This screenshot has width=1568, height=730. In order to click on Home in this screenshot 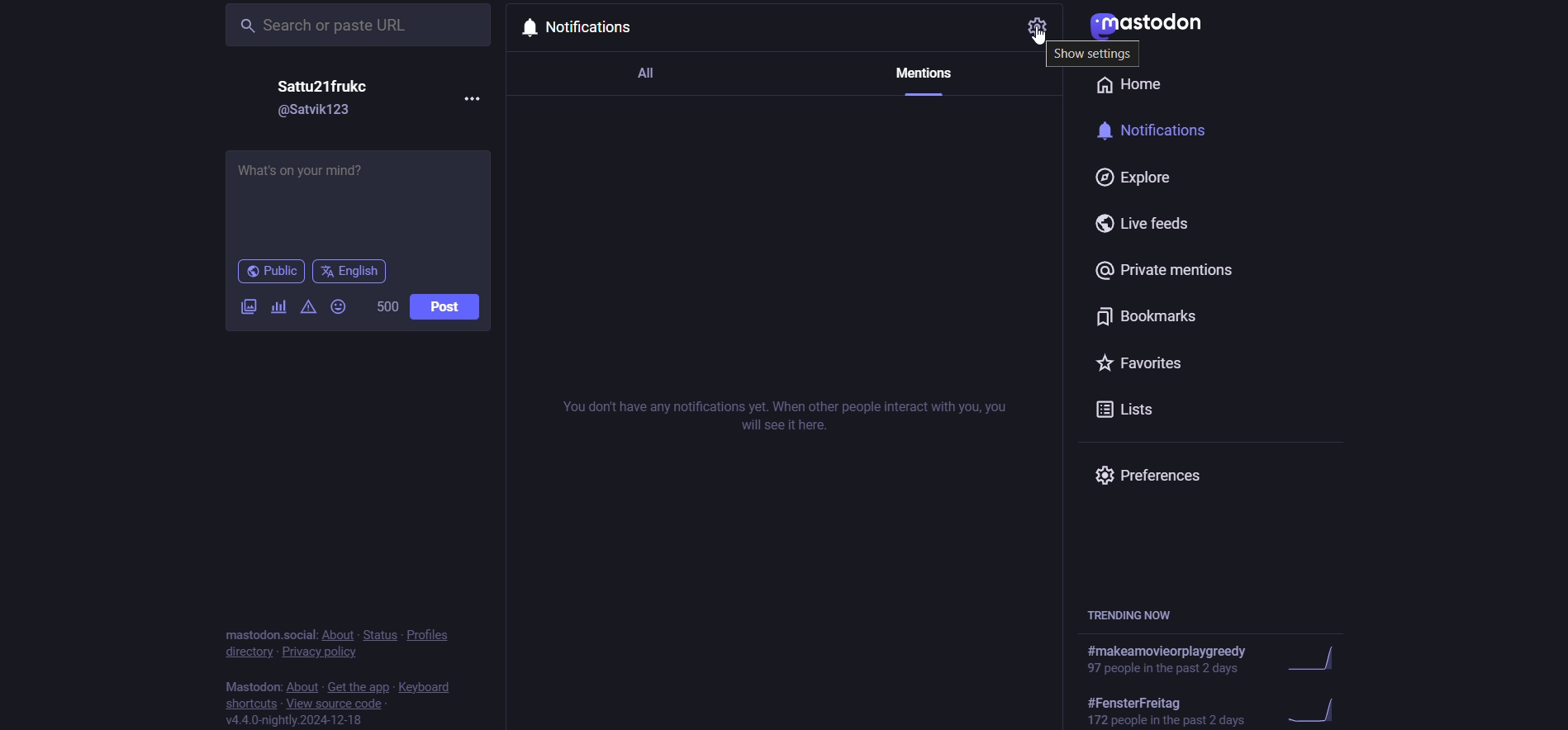, I will do `click(1133, 84)`.